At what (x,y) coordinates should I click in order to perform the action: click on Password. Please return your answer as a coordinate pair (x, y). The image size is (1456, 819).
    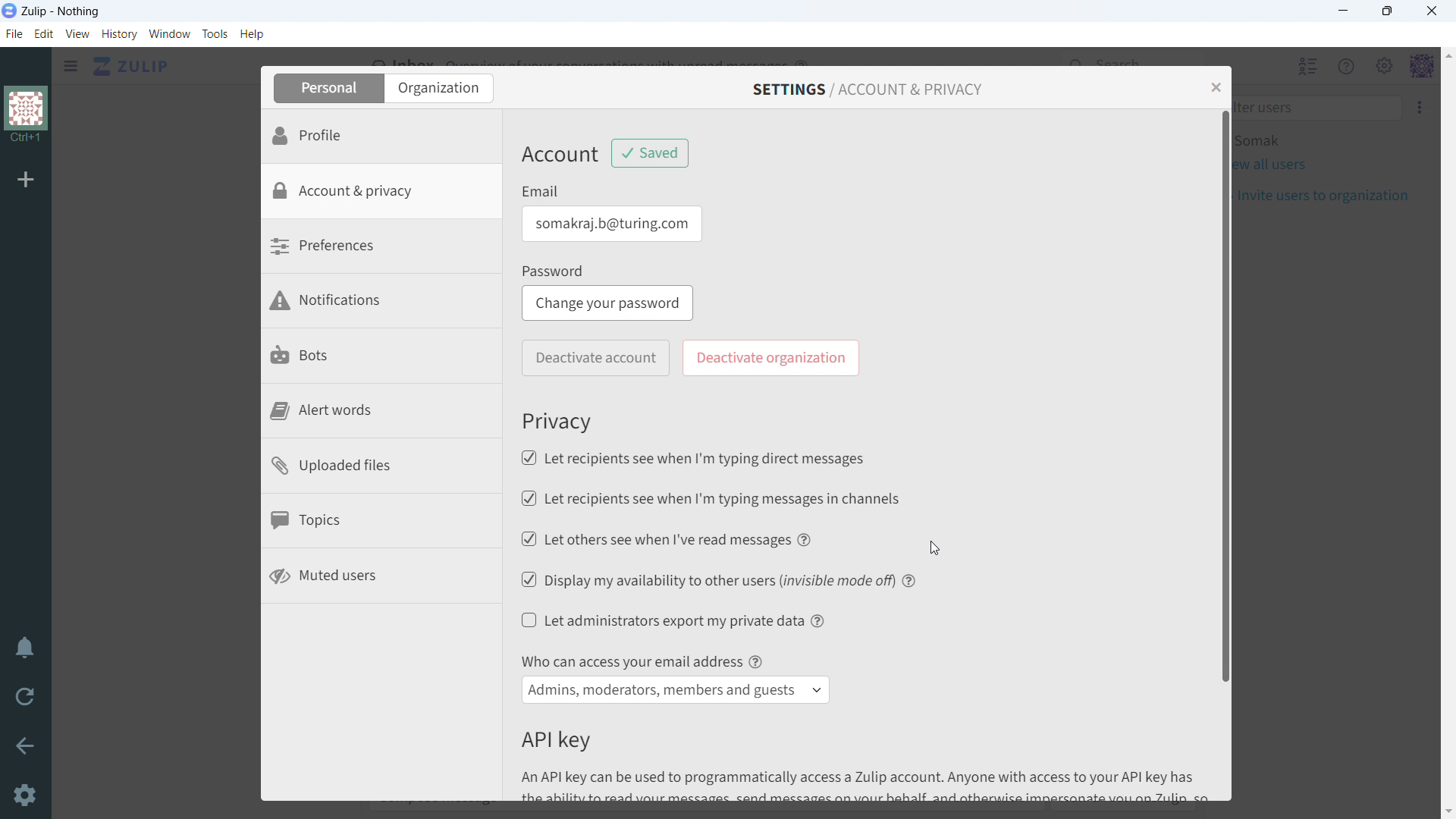
    Looking at the image, I should click on (554, 271).